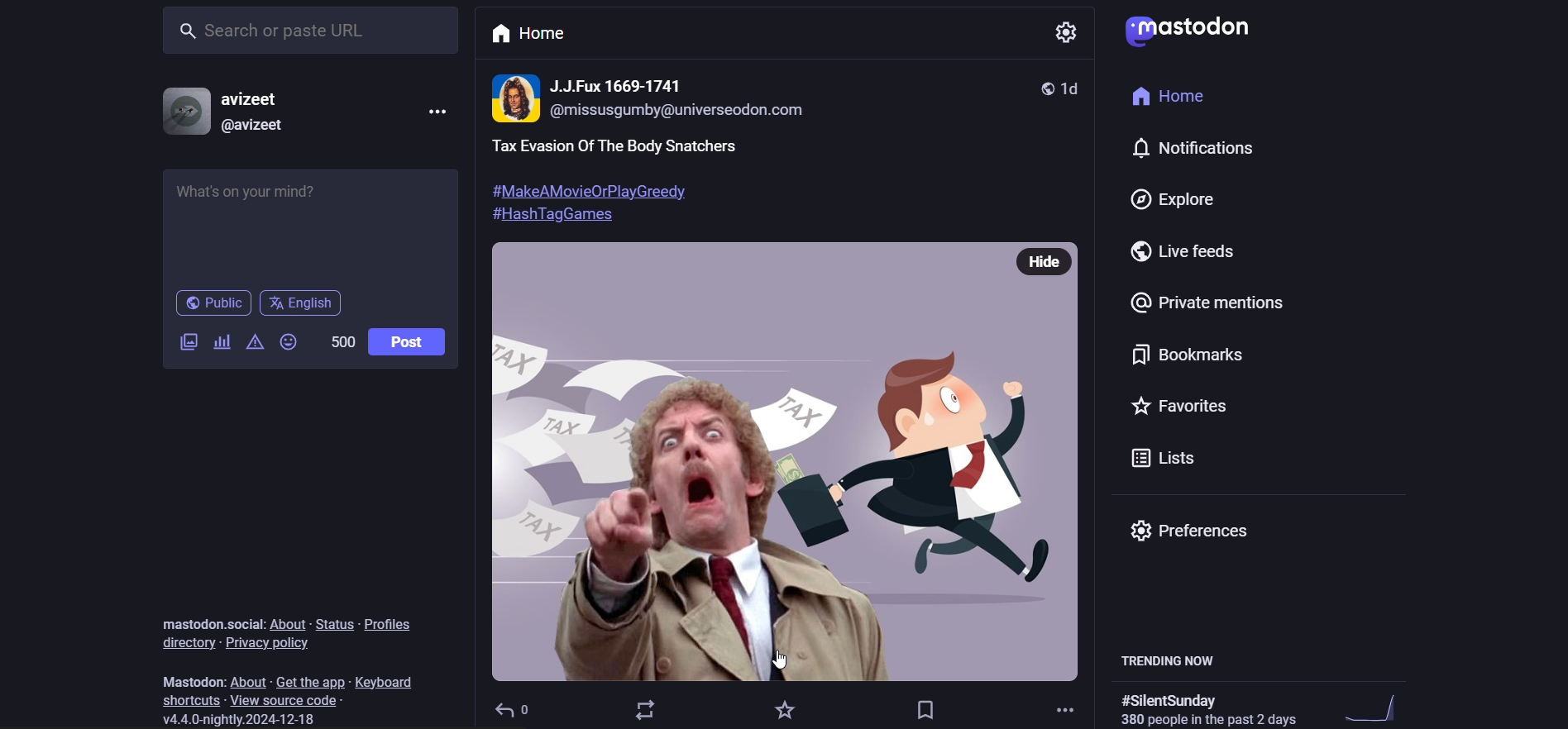 Image resolution: width=1568 pixels, height=729 pixels. Describe the element at coordinates (439, 113) in the screenshot. I see `more` at that location.